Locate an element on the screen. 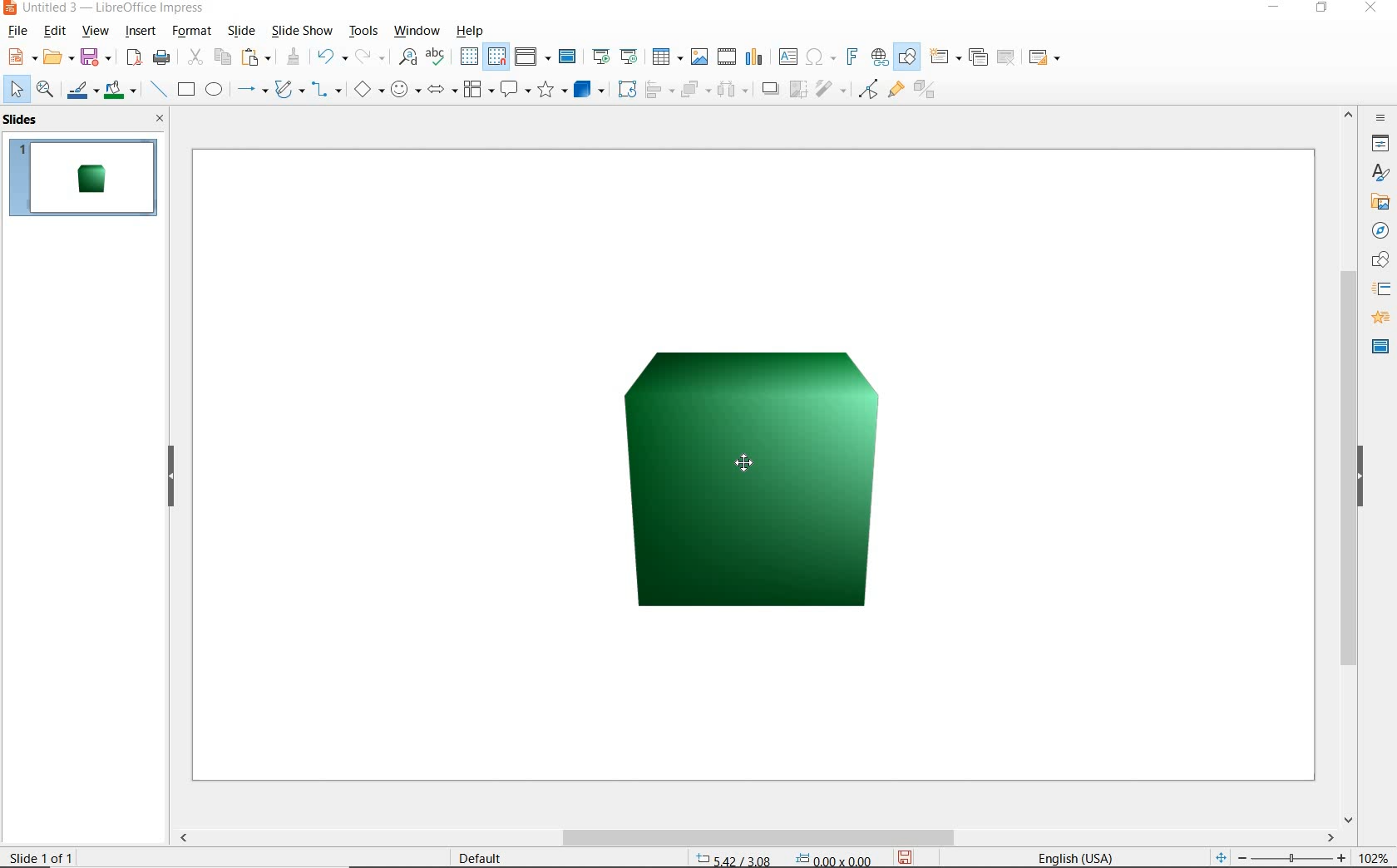 The height and width of the screenshot is (868, 1397). slide is located at coordinates (239, 31).